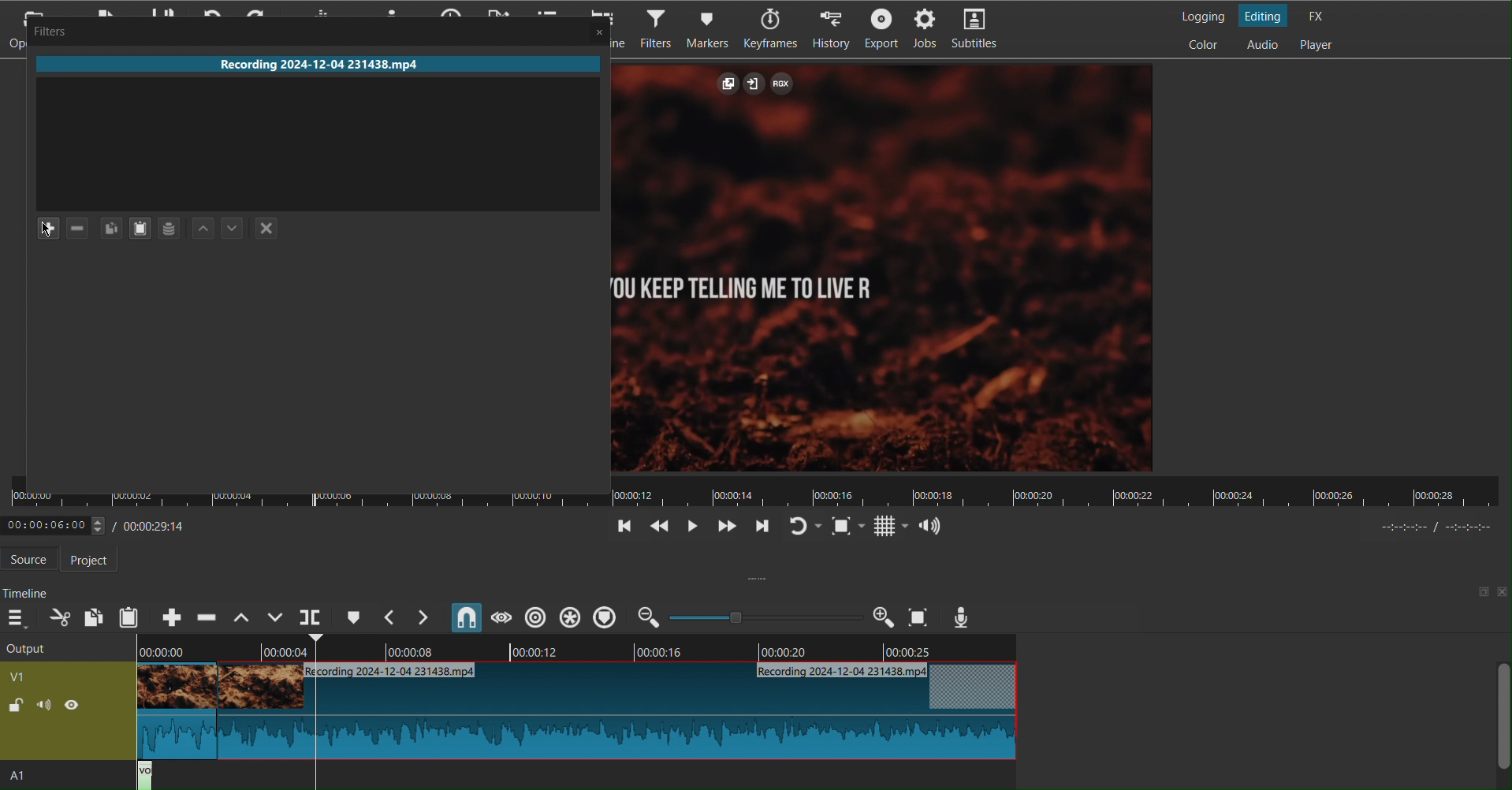 Image resolution: width=1512 pixels, height=790 pixels. I want to click on Move Back, so click(657, 528).